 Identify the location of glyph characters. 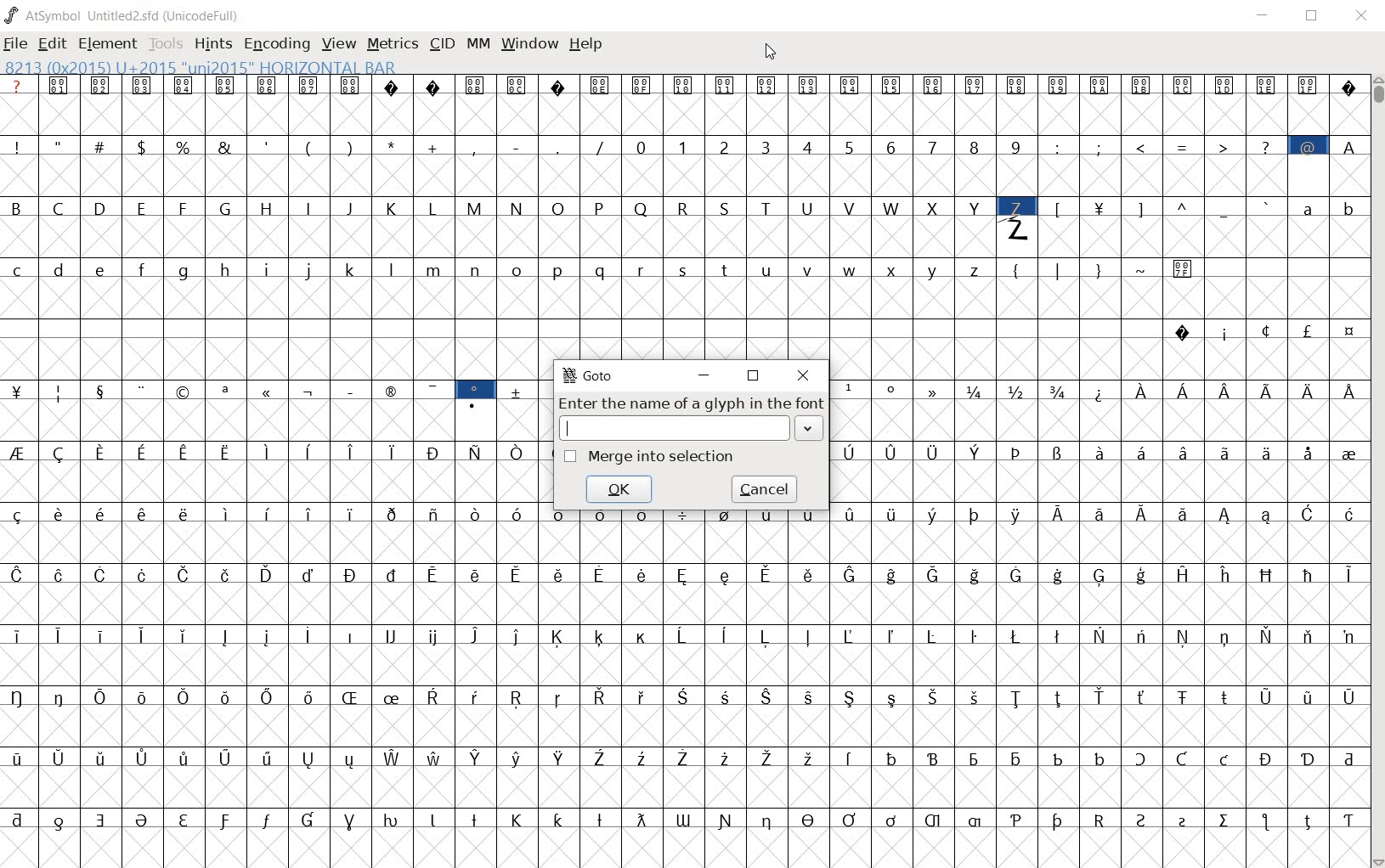
(951, 214).